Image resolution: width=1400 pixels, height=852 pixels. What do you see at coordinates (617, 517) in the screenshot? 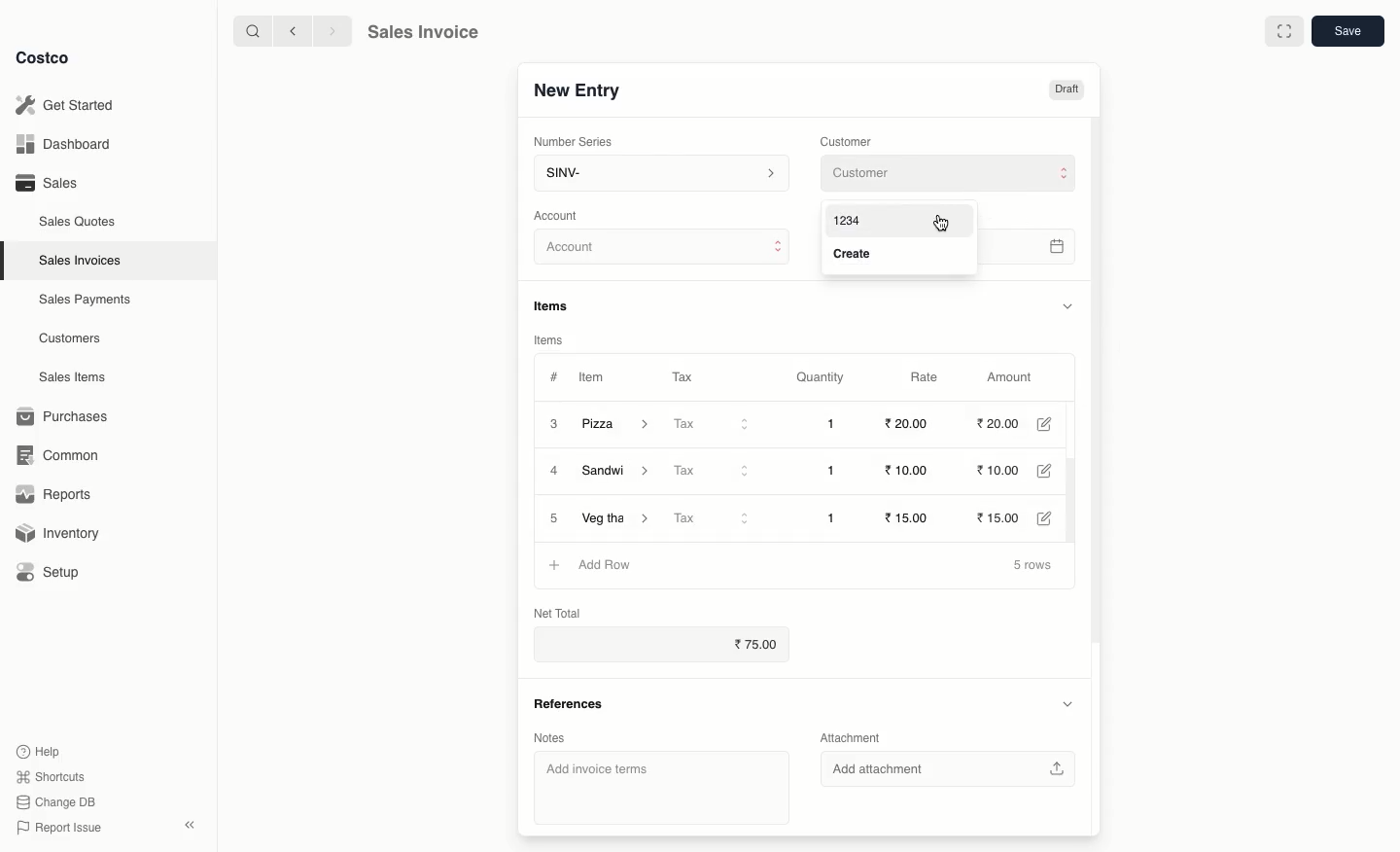
I see `Veg Thali` at bounding box center [617, 517].